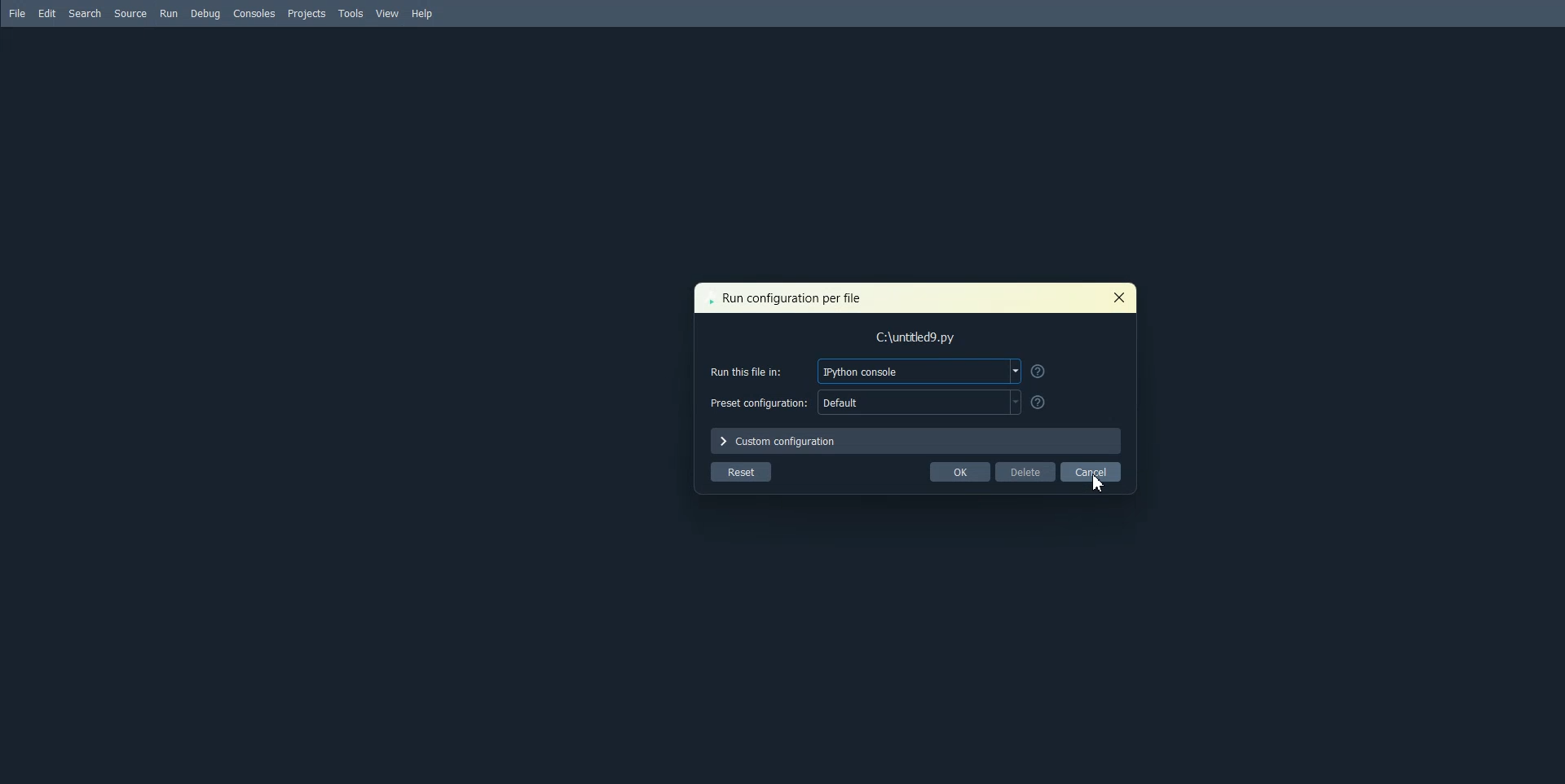  I want to click on Preset configuration, so click(758, 401).